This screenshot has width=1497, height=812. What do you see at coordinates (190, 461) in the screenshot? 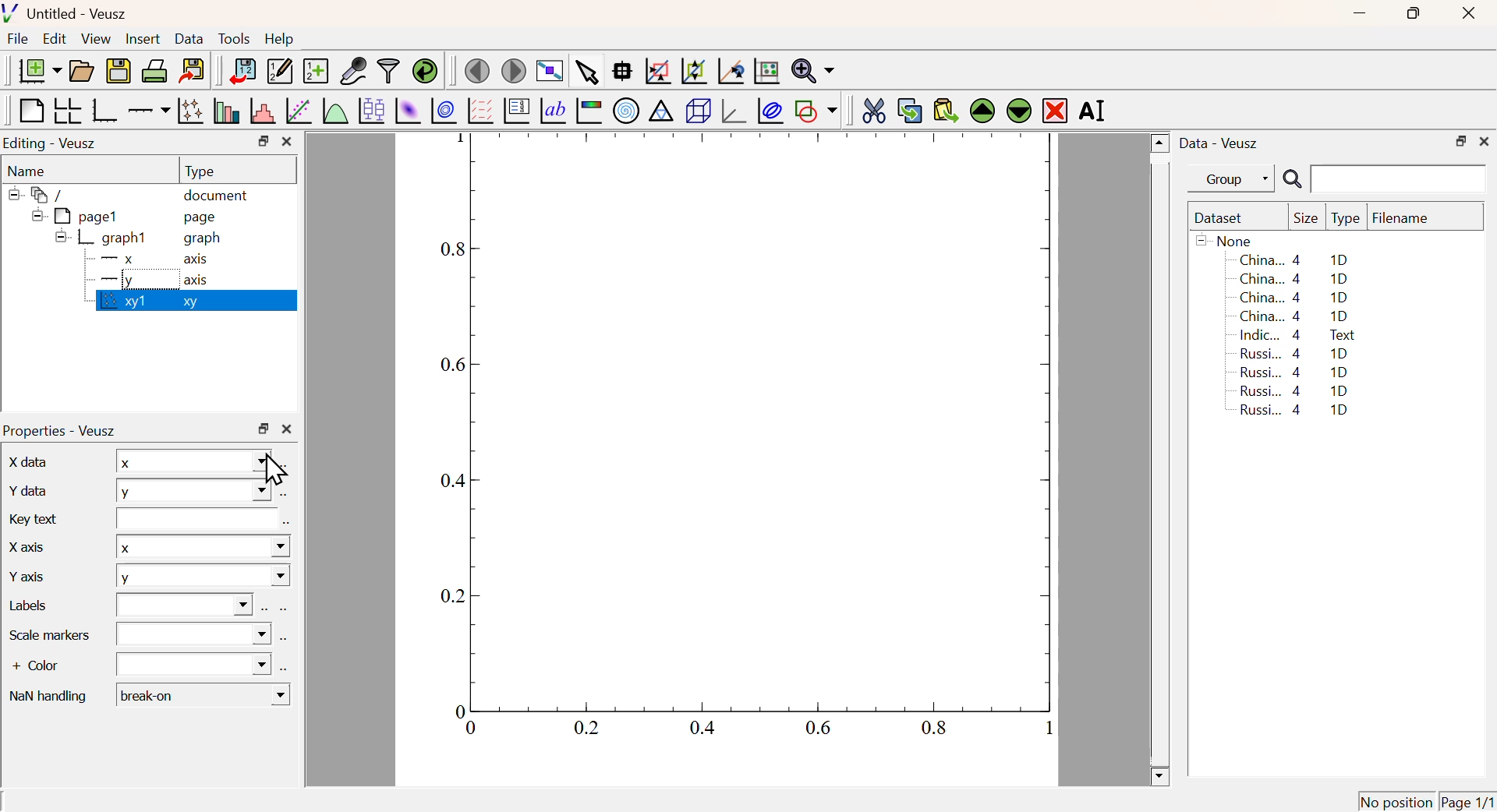
I see `x` at bounding box center [190, 461].